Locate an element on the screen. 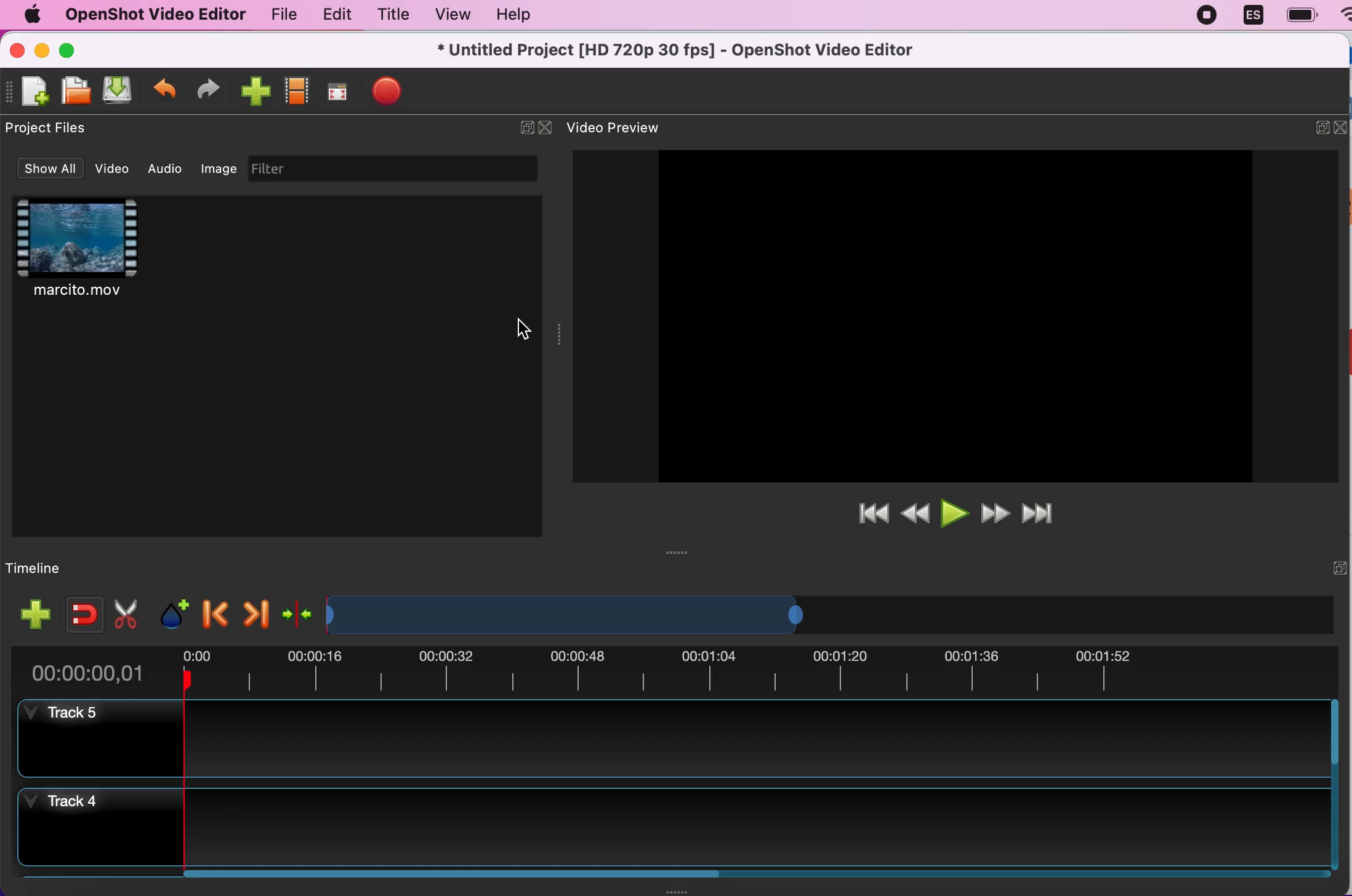 Image resolution: width=1352 pixels, height=896 pixels. video is located at coordinates (111, 169).